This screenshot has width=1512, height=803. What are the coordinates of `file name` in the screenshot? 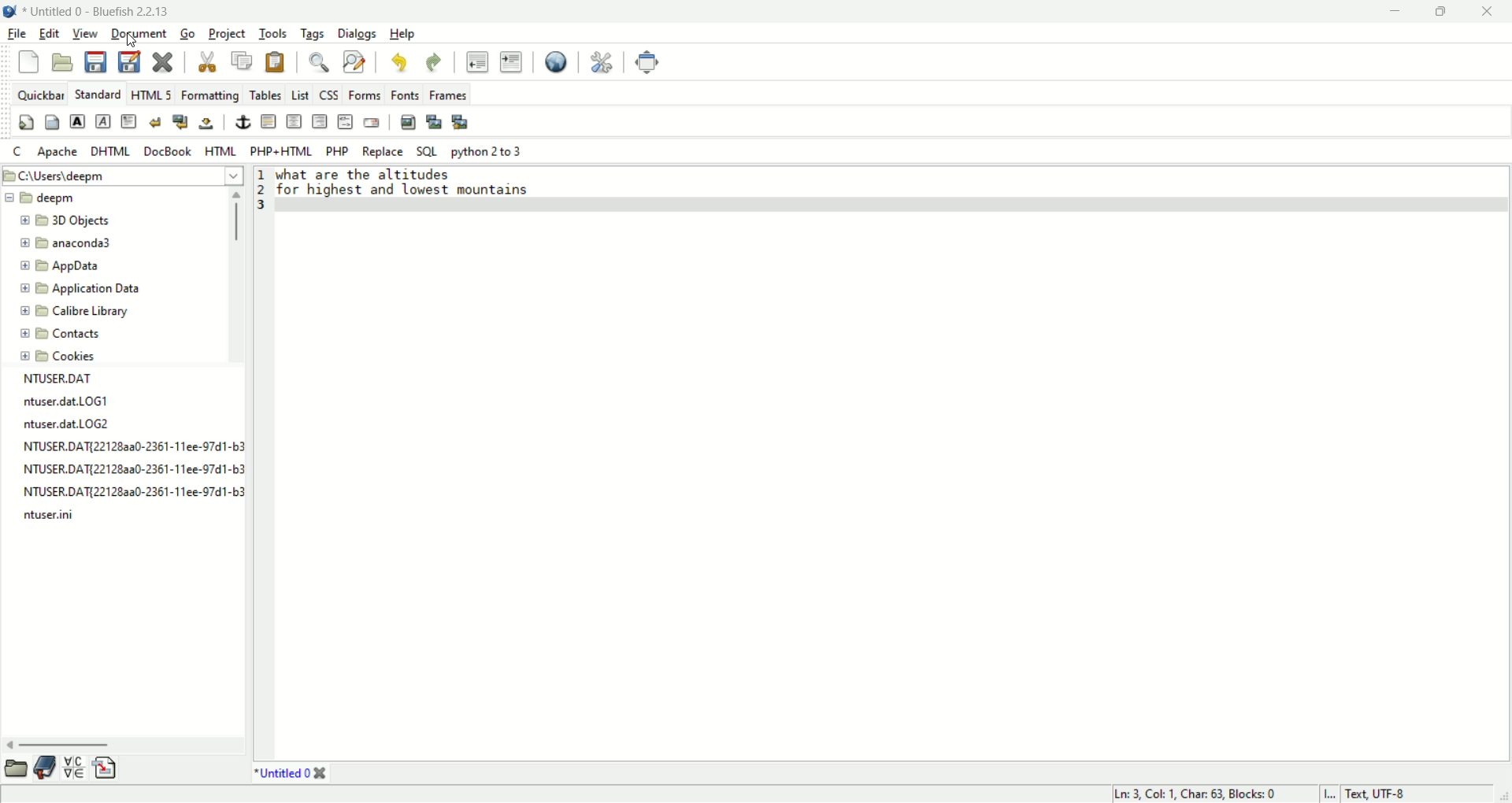 It's located at (133, 494).